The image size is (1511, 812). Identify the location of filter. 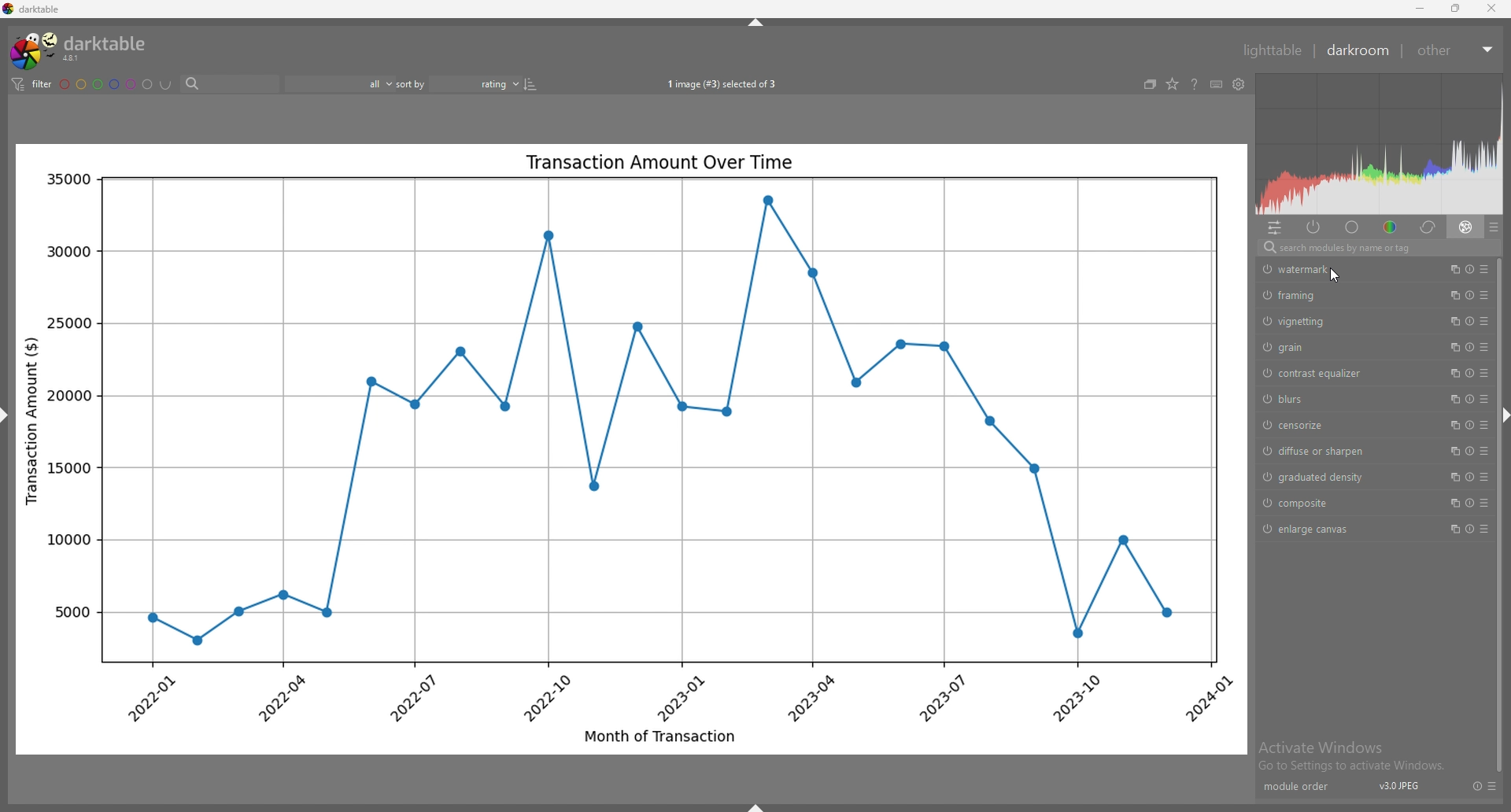
(34, 85).